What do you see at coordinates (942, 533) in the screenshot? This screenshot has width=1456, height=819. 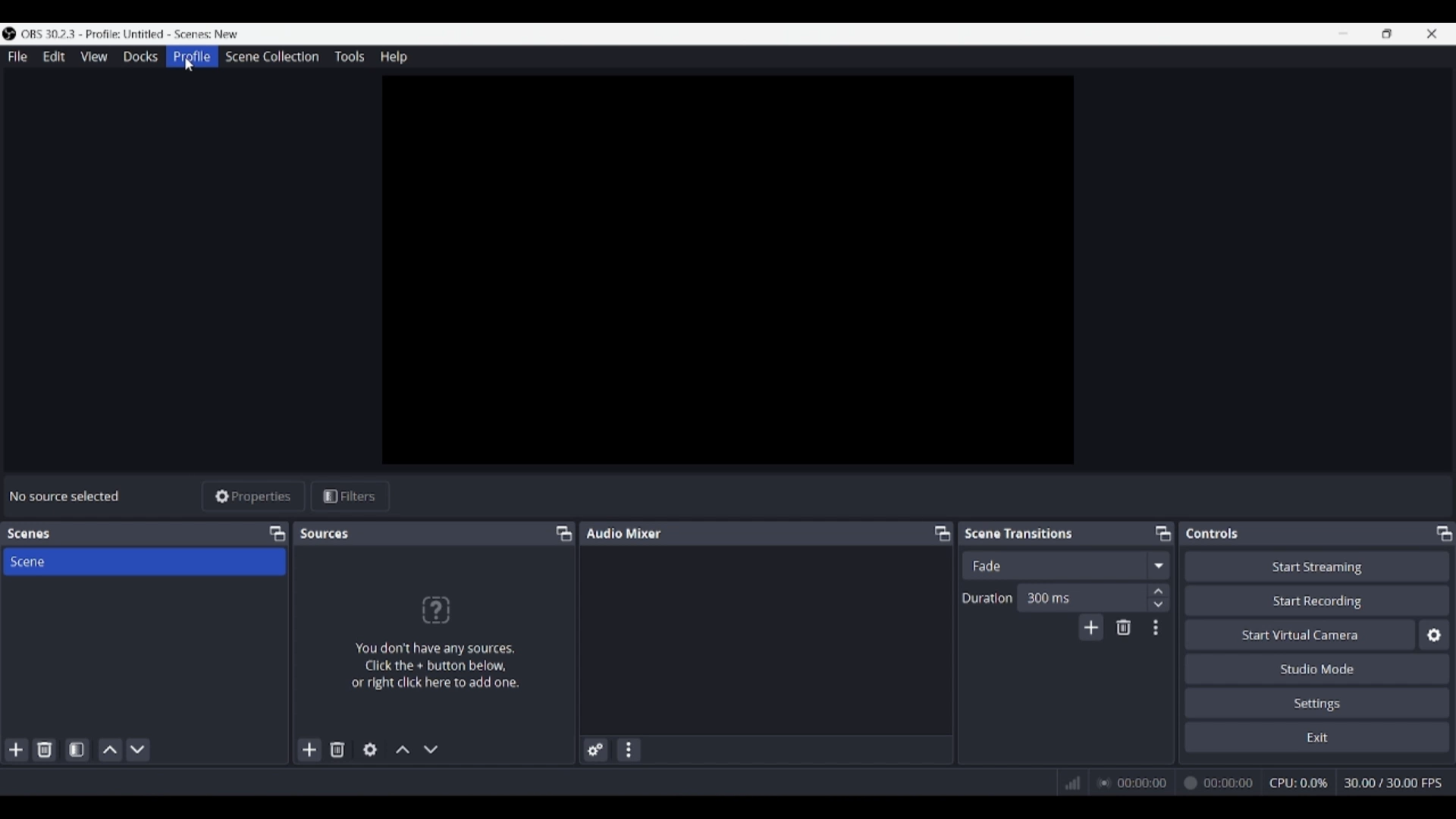 I see `Float Audio mixer` at bounding box center [942, 533].